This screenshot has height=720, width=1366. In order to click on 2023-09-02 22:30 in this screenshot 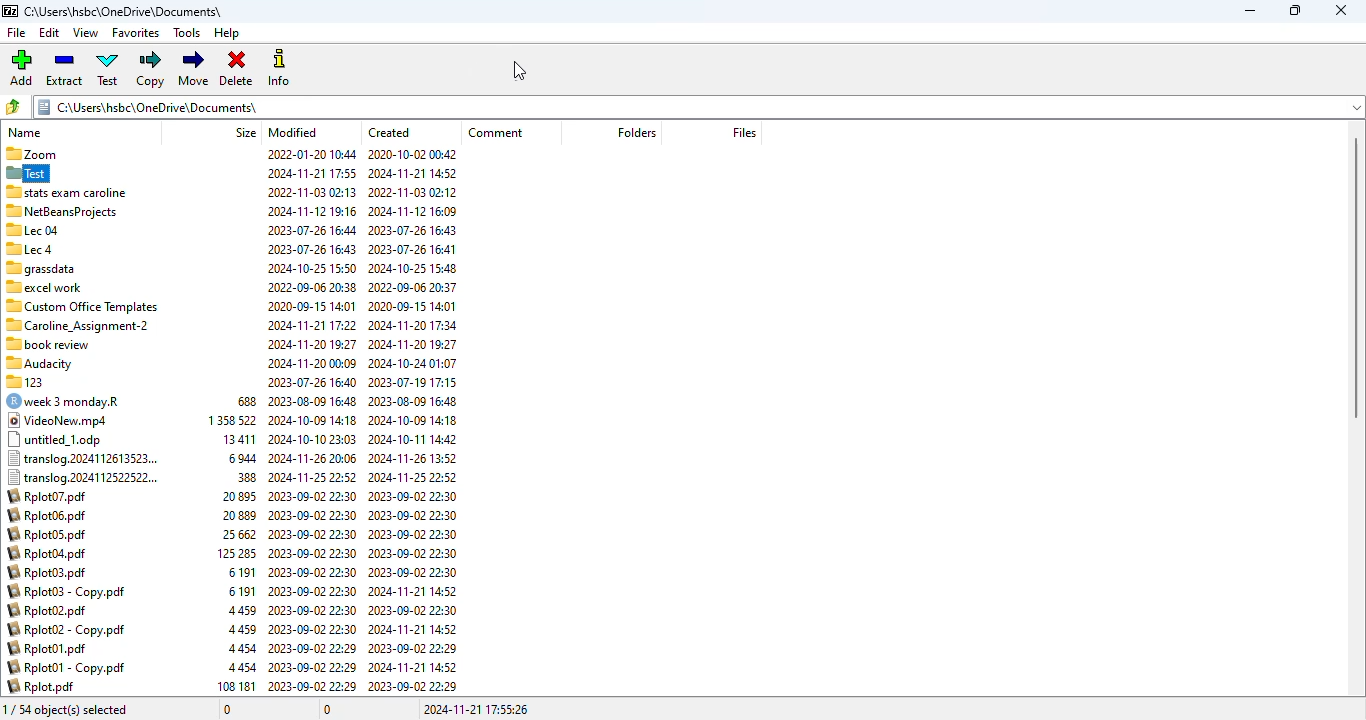, I will do `click(413, 496)`.